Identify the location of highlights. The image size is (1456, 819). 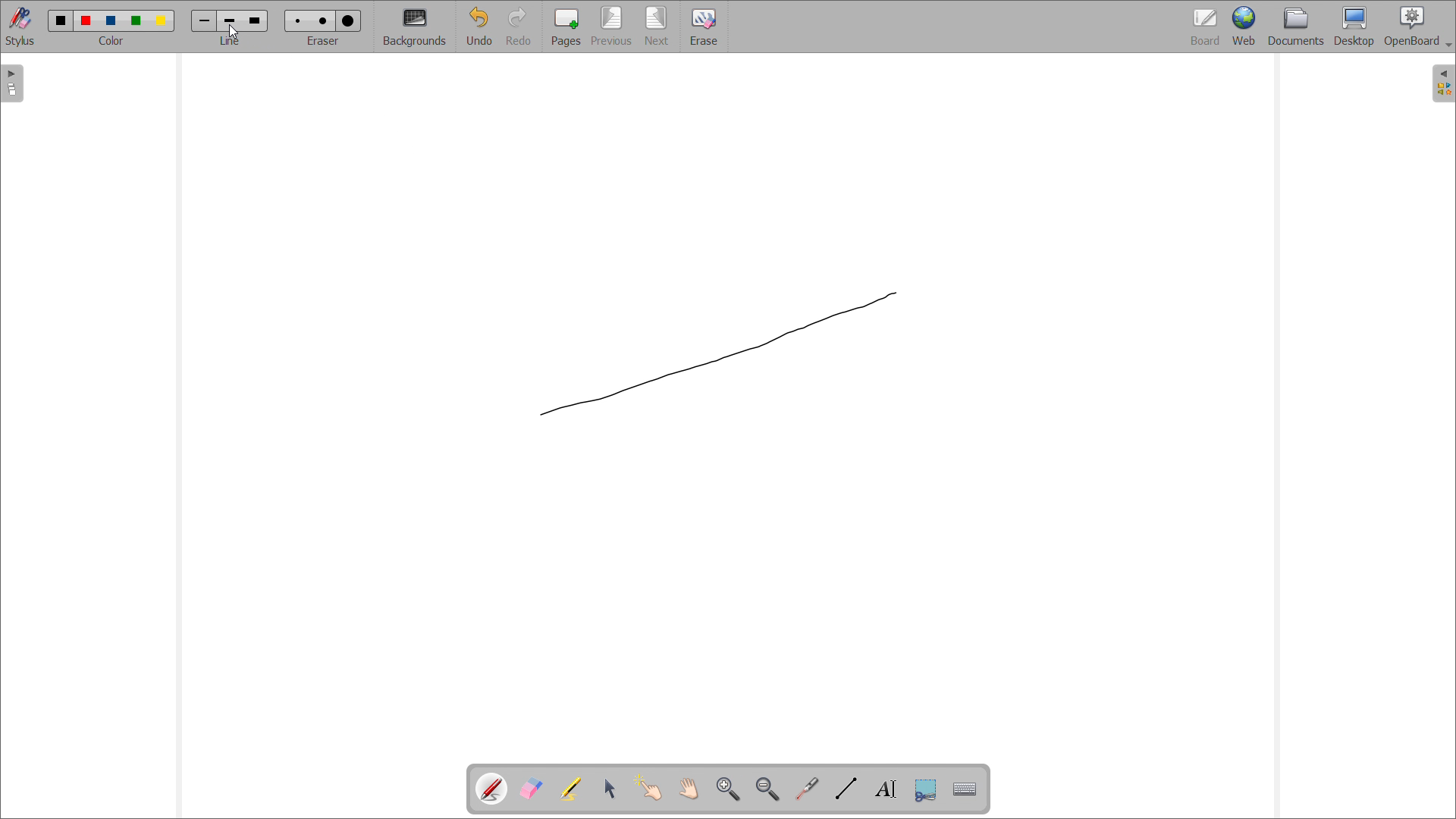
(571, 789).